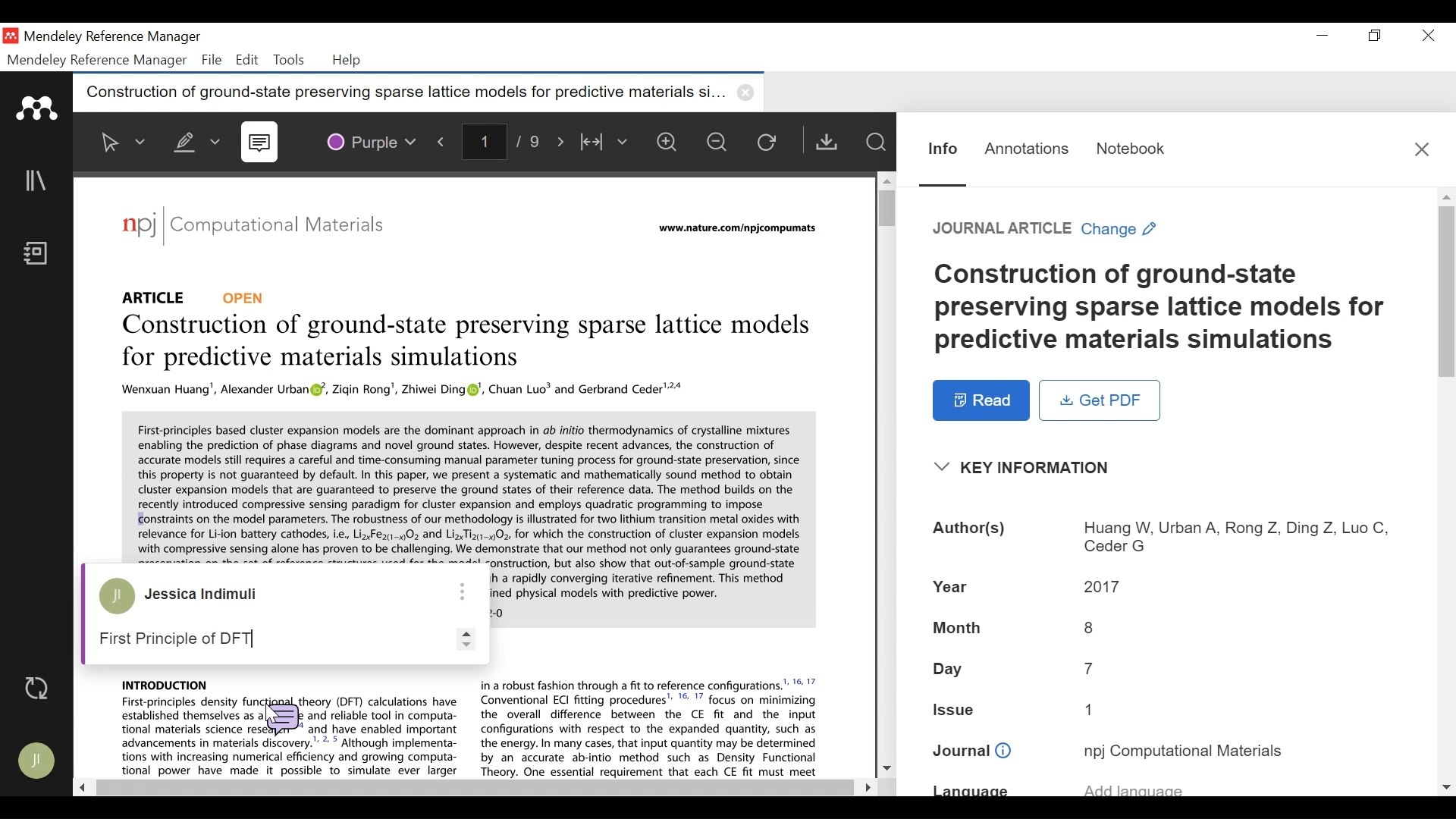  I want to click on Cursor, so click(266, 704).